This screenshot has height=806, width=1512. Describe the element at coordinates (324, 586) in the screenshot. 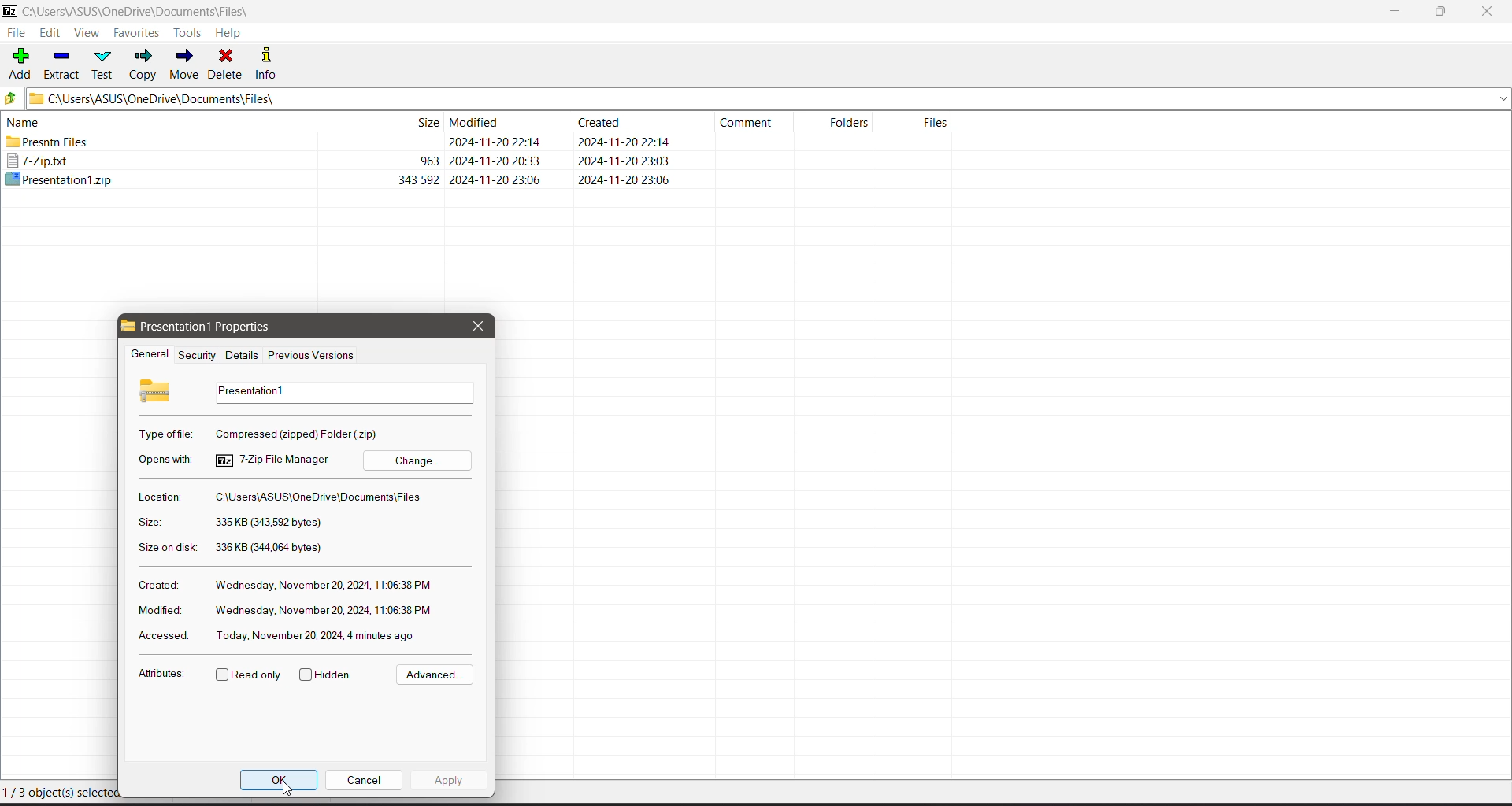

I see `Created Day, Date, Year and time of the selected file` at that location.